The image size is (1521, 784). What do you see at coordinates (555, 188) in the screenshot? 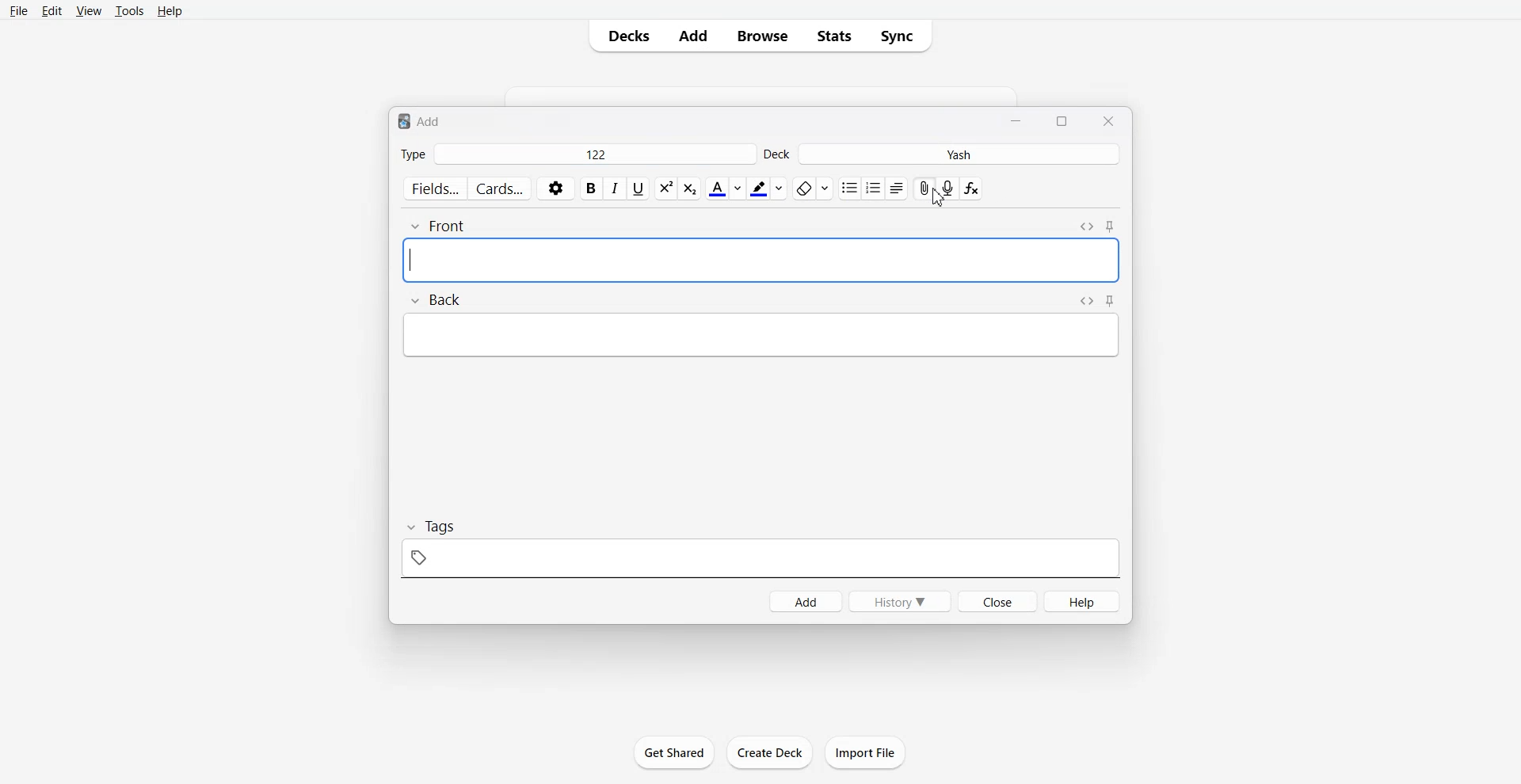
I see `Settings` at bounding box center [555, 188].